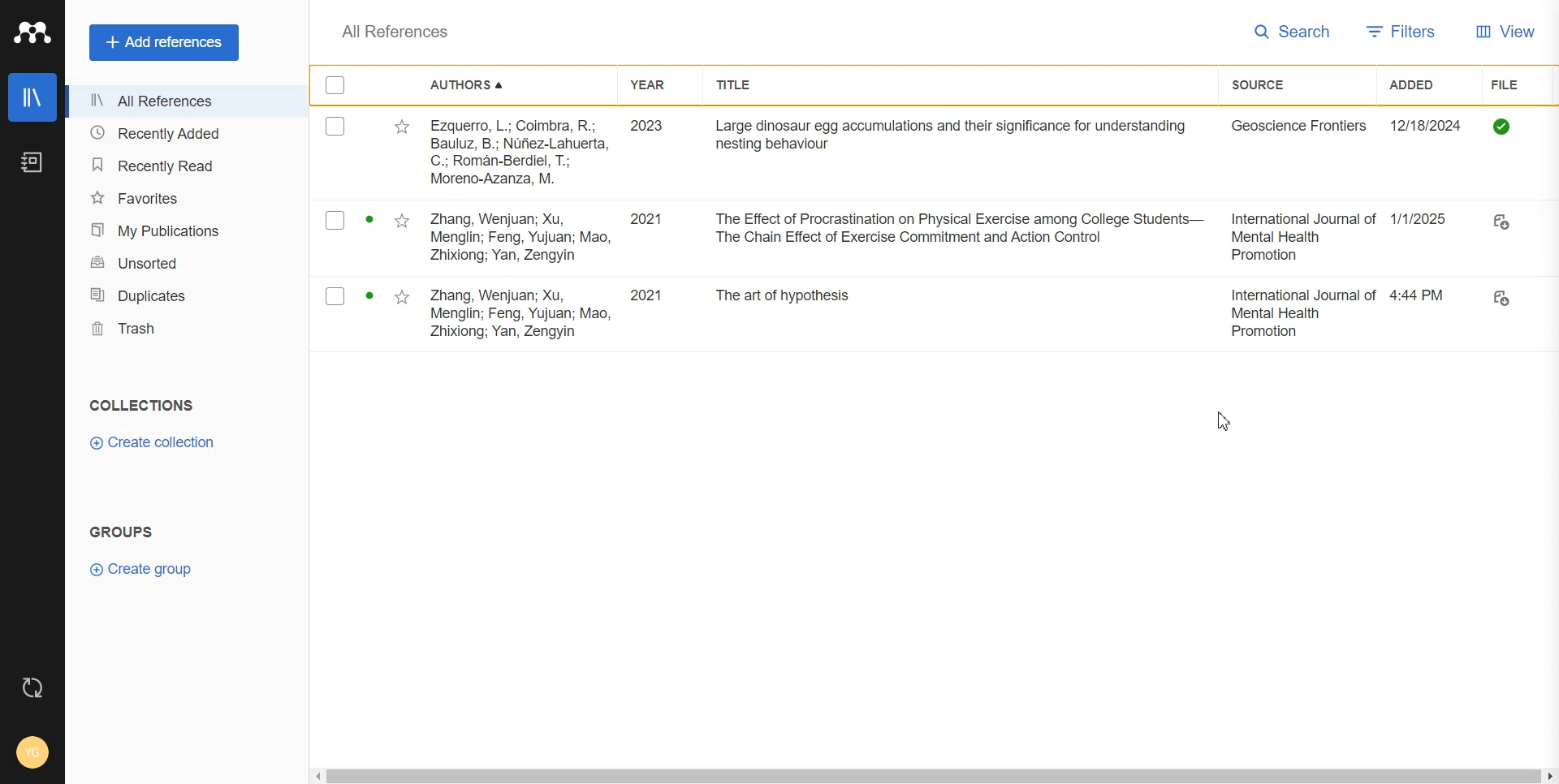 This screenshot has height=784, width=1559. I want to click on Favorites, so click(171, 198).